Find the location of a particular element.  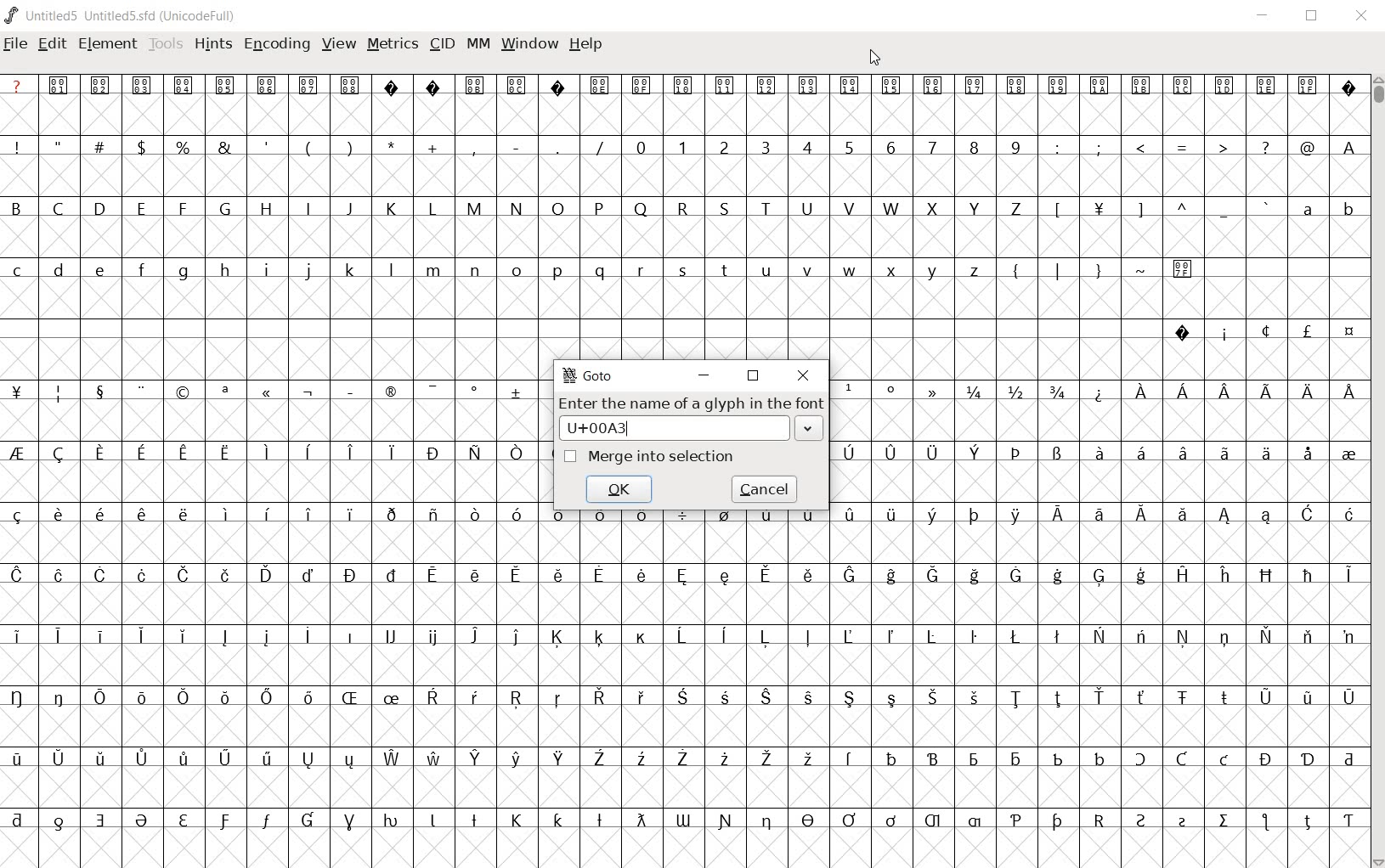

Symbol is located at coordinates (1226, 637).